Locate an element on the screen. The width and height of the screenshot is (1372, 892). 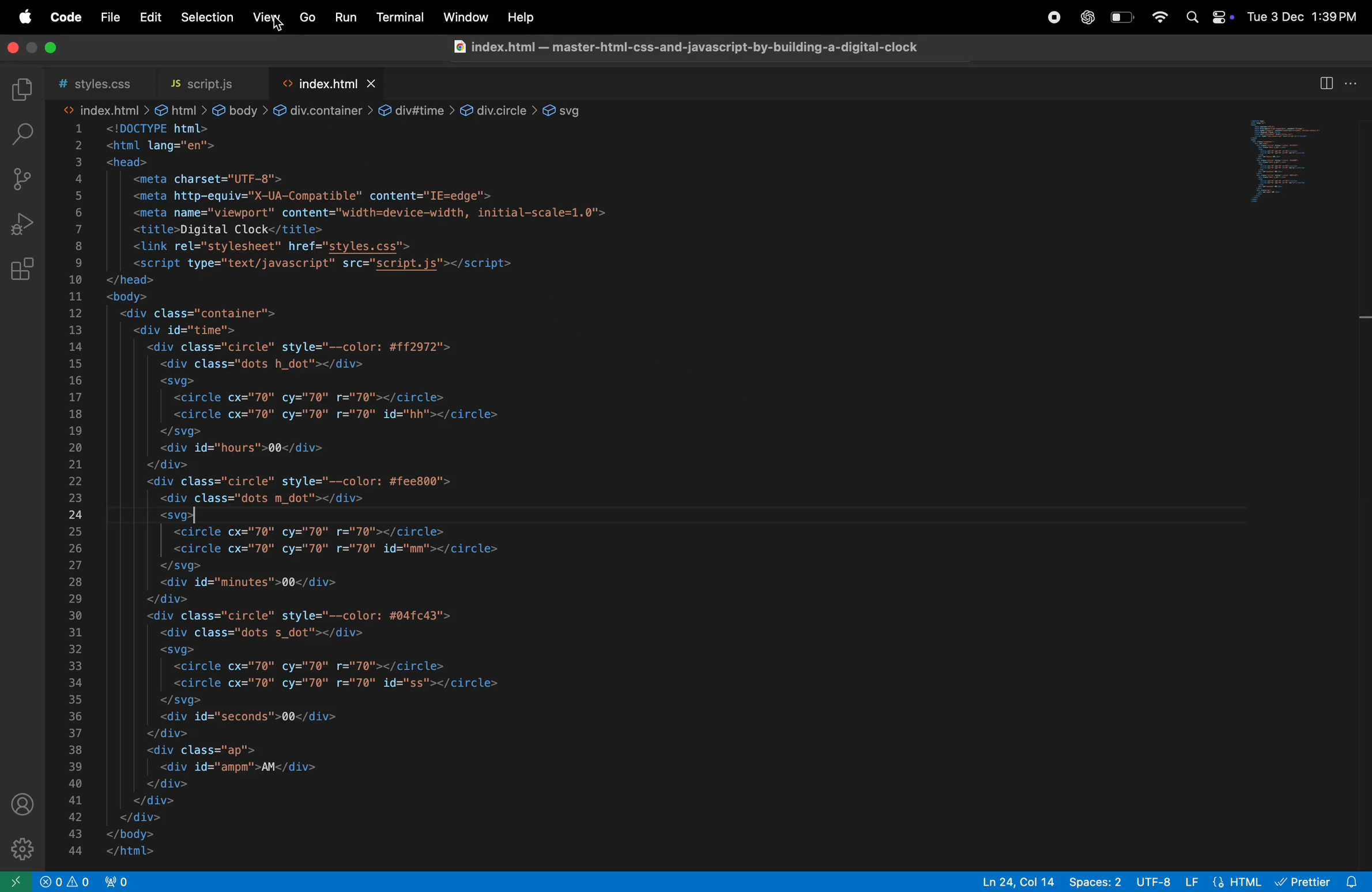
code block is located at coordinates (564, 494).